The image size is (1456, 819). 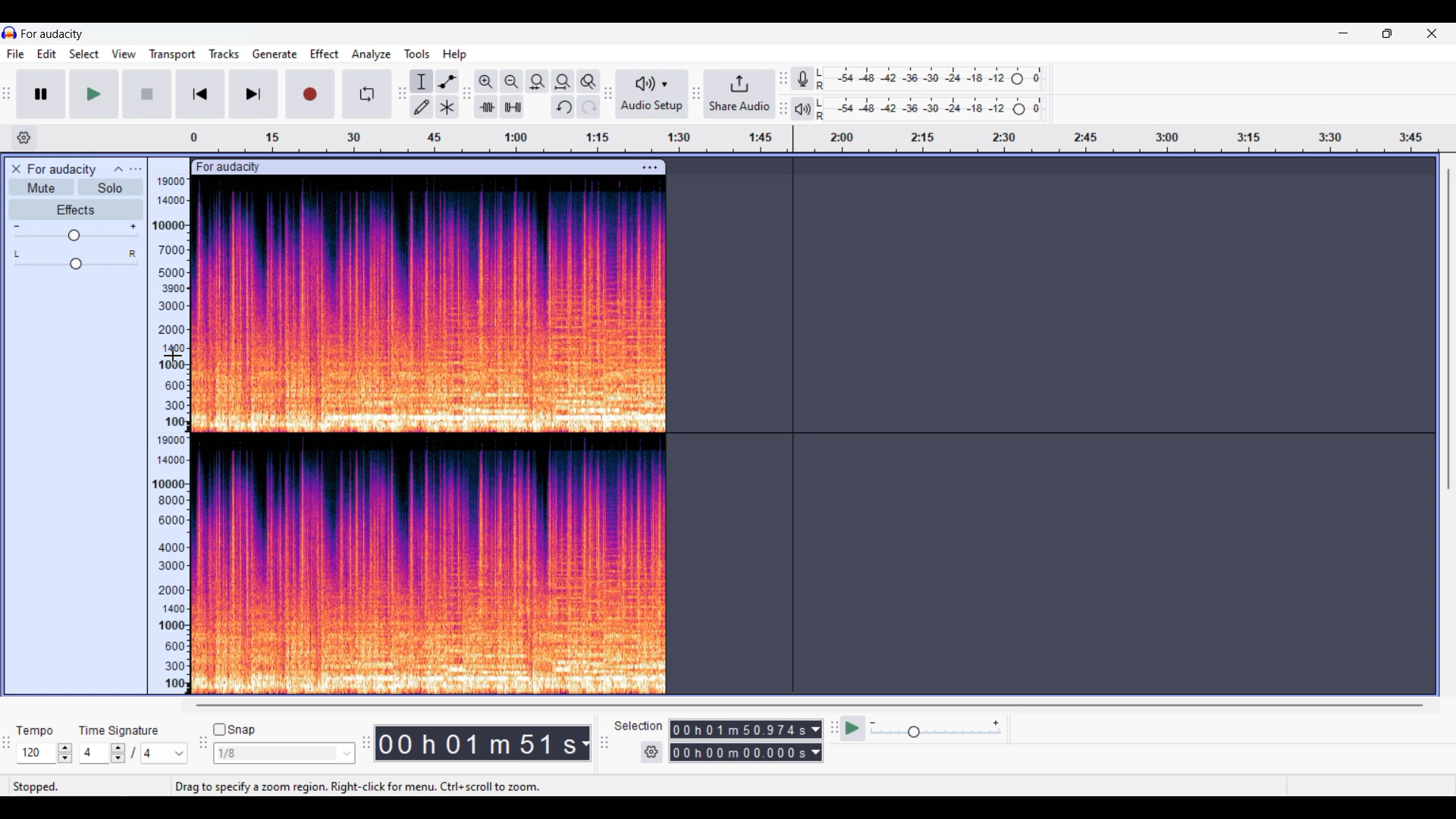 What do you see at coordinates (200, 93) in the screenshot?
I see `Skip/Select to start` at bounding box center [200, 93].